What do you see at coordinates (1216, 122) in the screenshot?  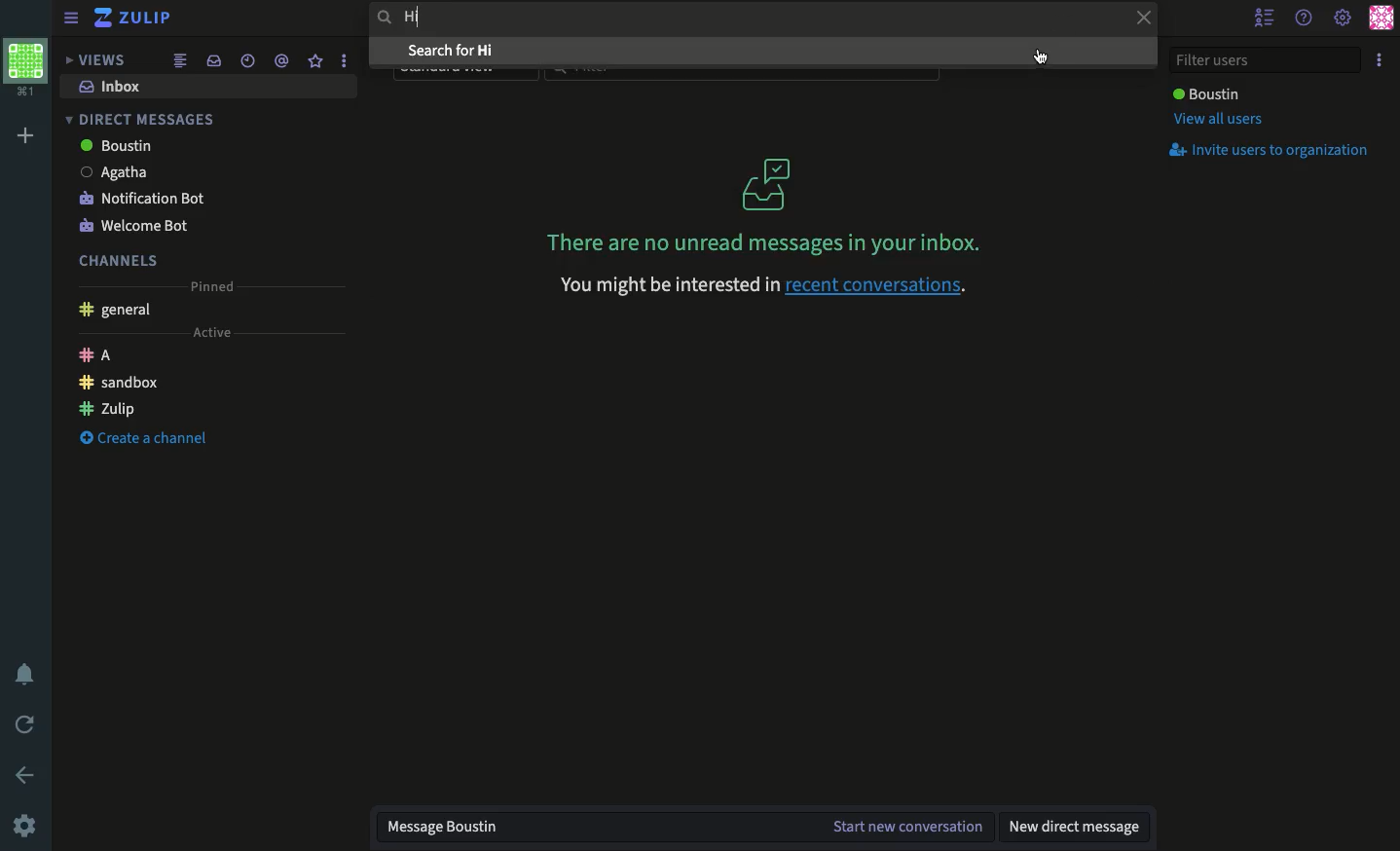 I see `View all users` at bounding box center [1216, 122].